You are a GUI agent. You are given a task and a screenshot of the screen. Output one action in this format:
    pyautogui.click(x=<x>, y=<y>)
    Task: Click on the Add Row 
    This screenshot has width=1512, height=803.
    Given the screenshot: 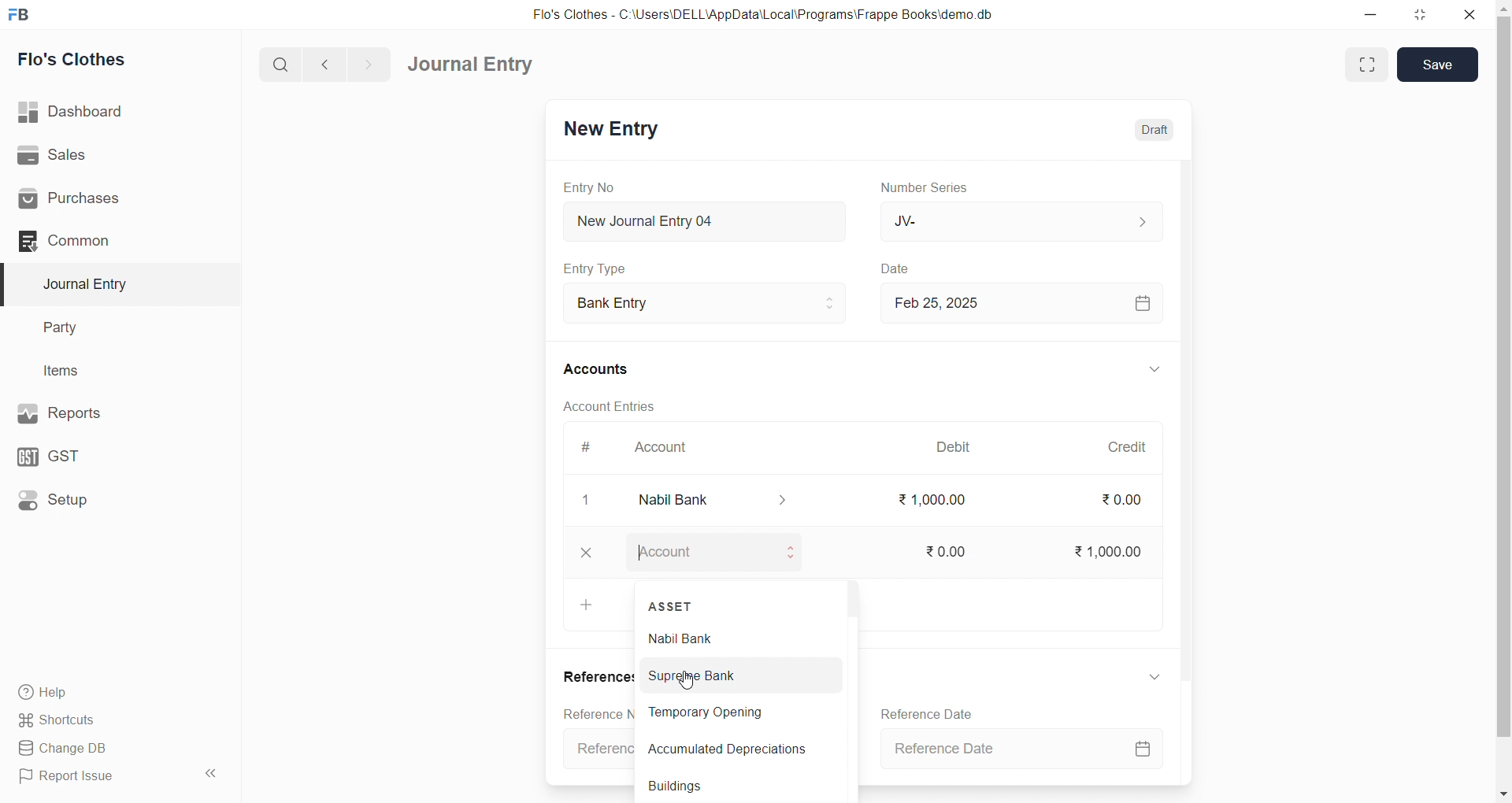 What is the action you would take?
    pyautogui.click(x=589, y=553)
    